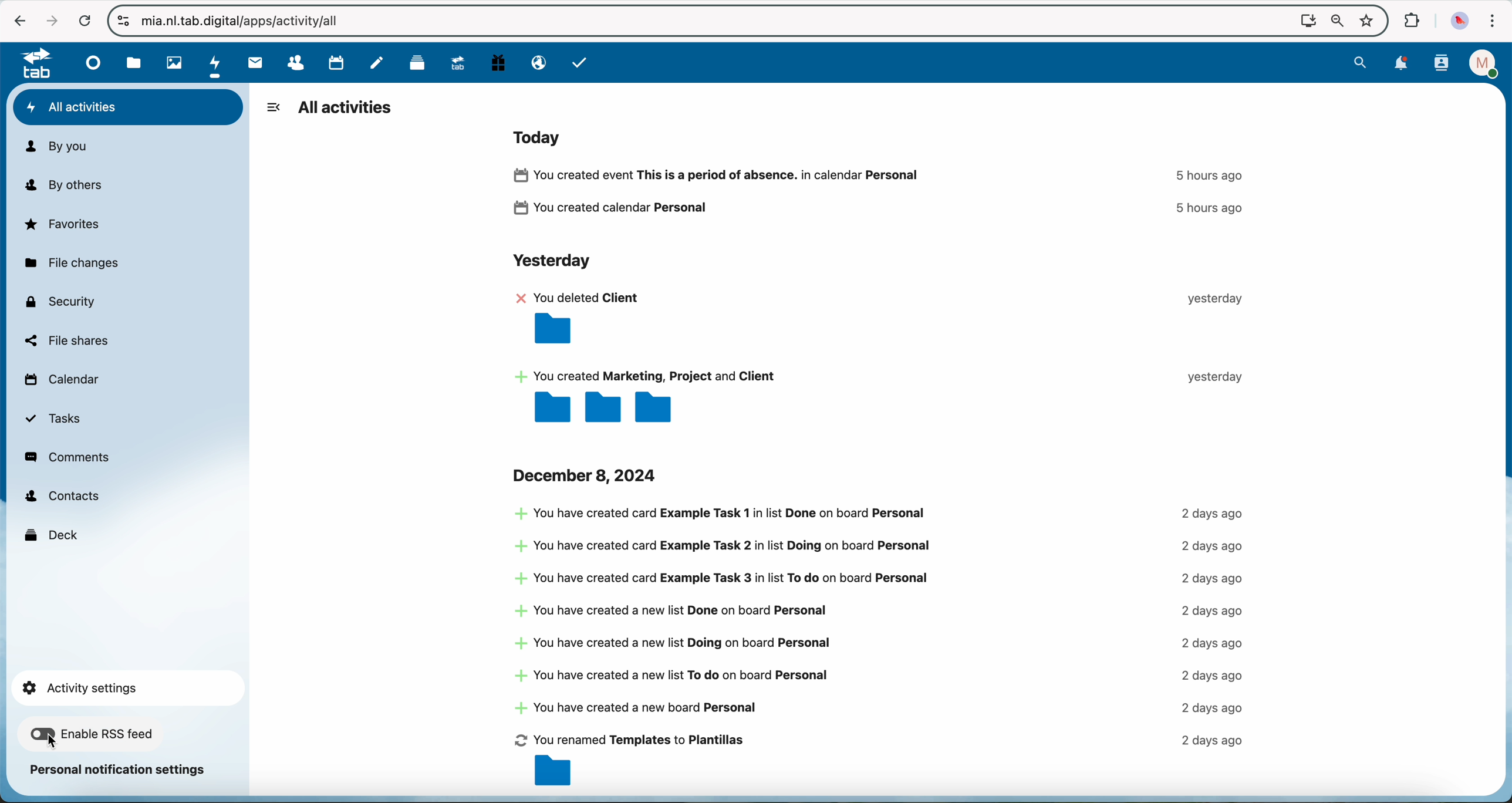 This screenshot has width=1512, height=803. Describe the element at coordinates (273, 107) in the screenshot. I see `hide sidebar` at that location.